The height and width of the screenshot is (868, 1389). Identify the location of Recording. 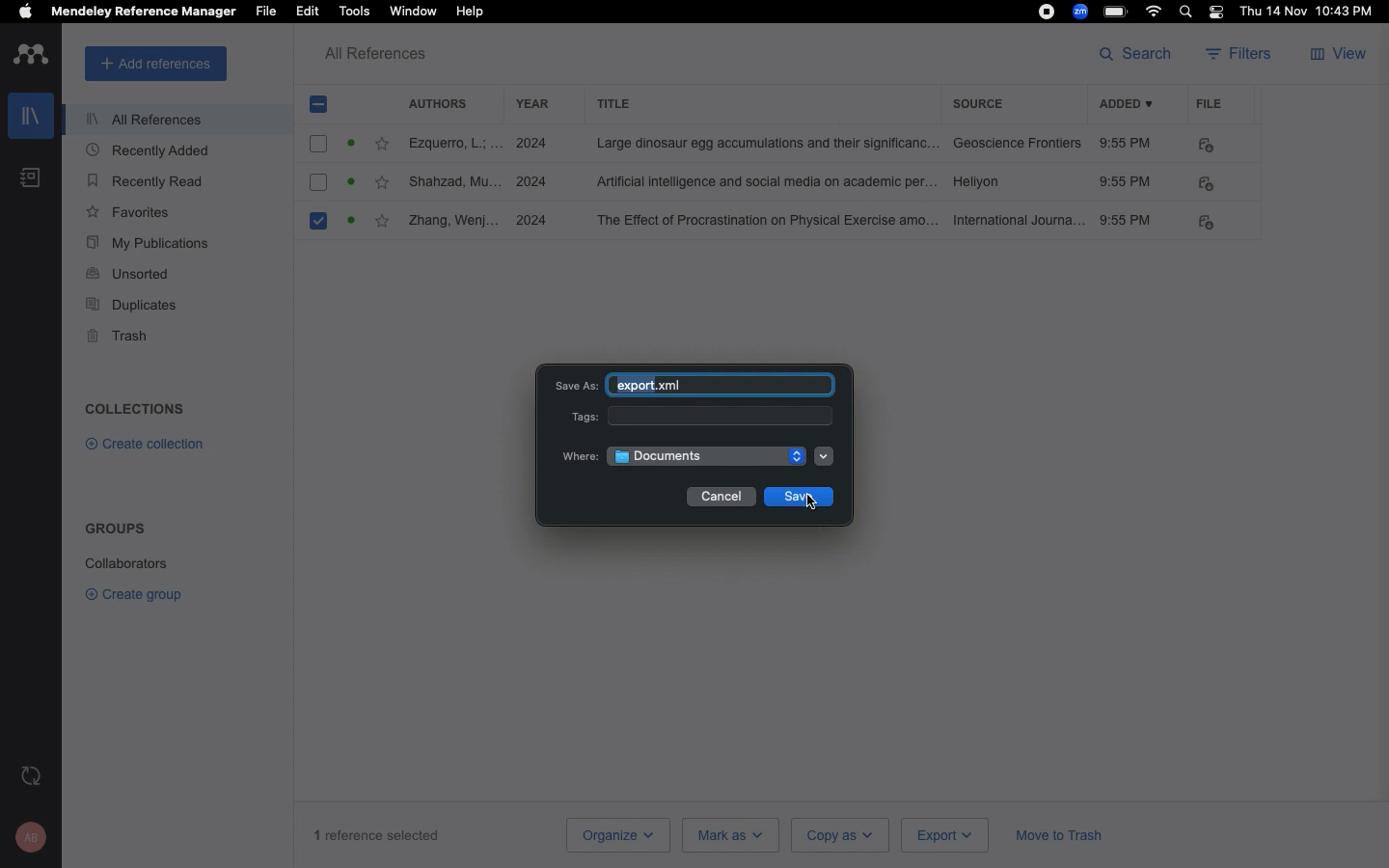
(1048, 10).